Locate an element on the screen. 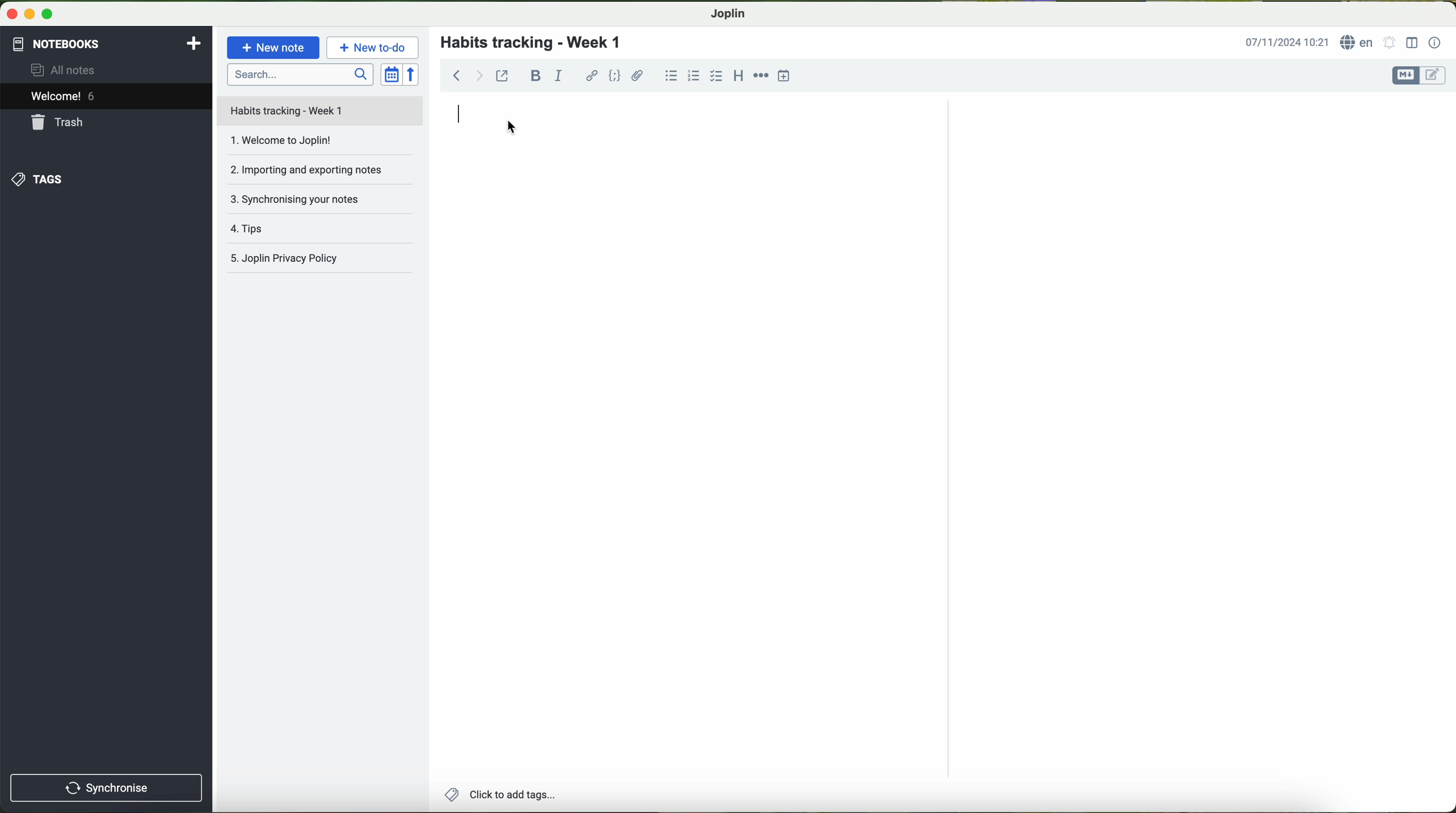  Joplin privacy policy is located at coordinates (321, 260).